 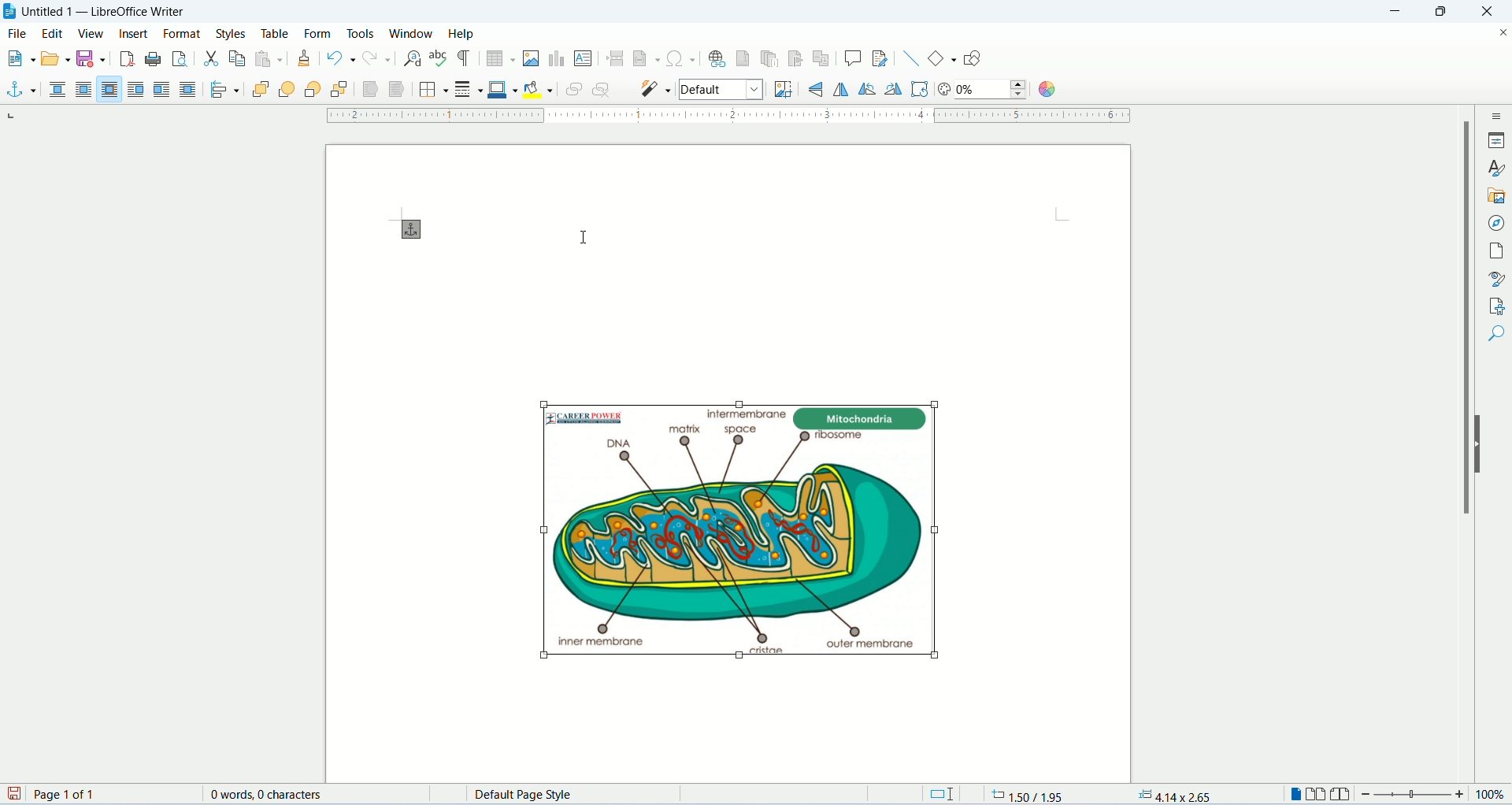 I want to click on zoom bar, so click(x=1414, y=795).